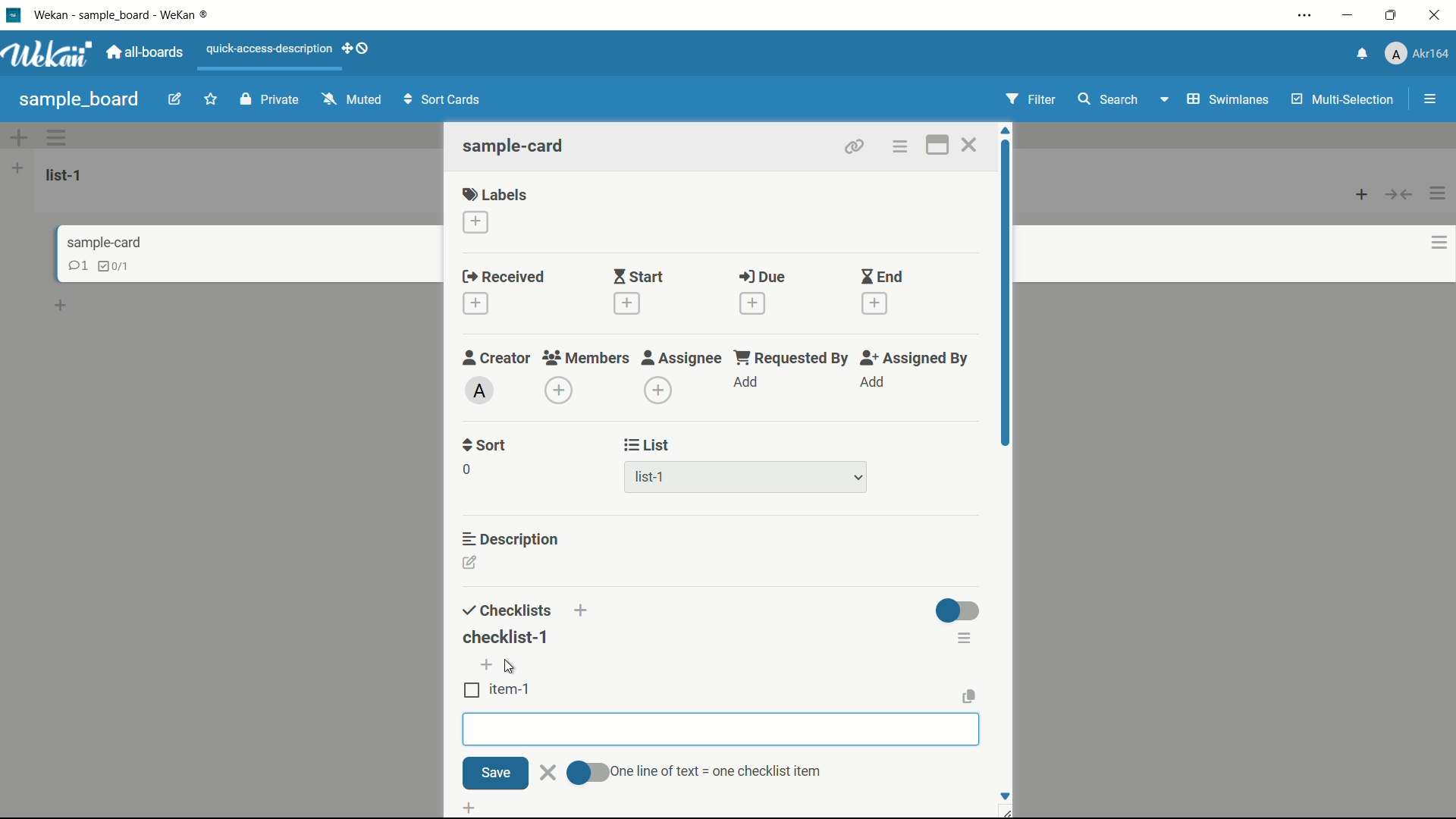 The height and width of the screenshot is (819, 1456). I want to click on start, so click(640, 277).